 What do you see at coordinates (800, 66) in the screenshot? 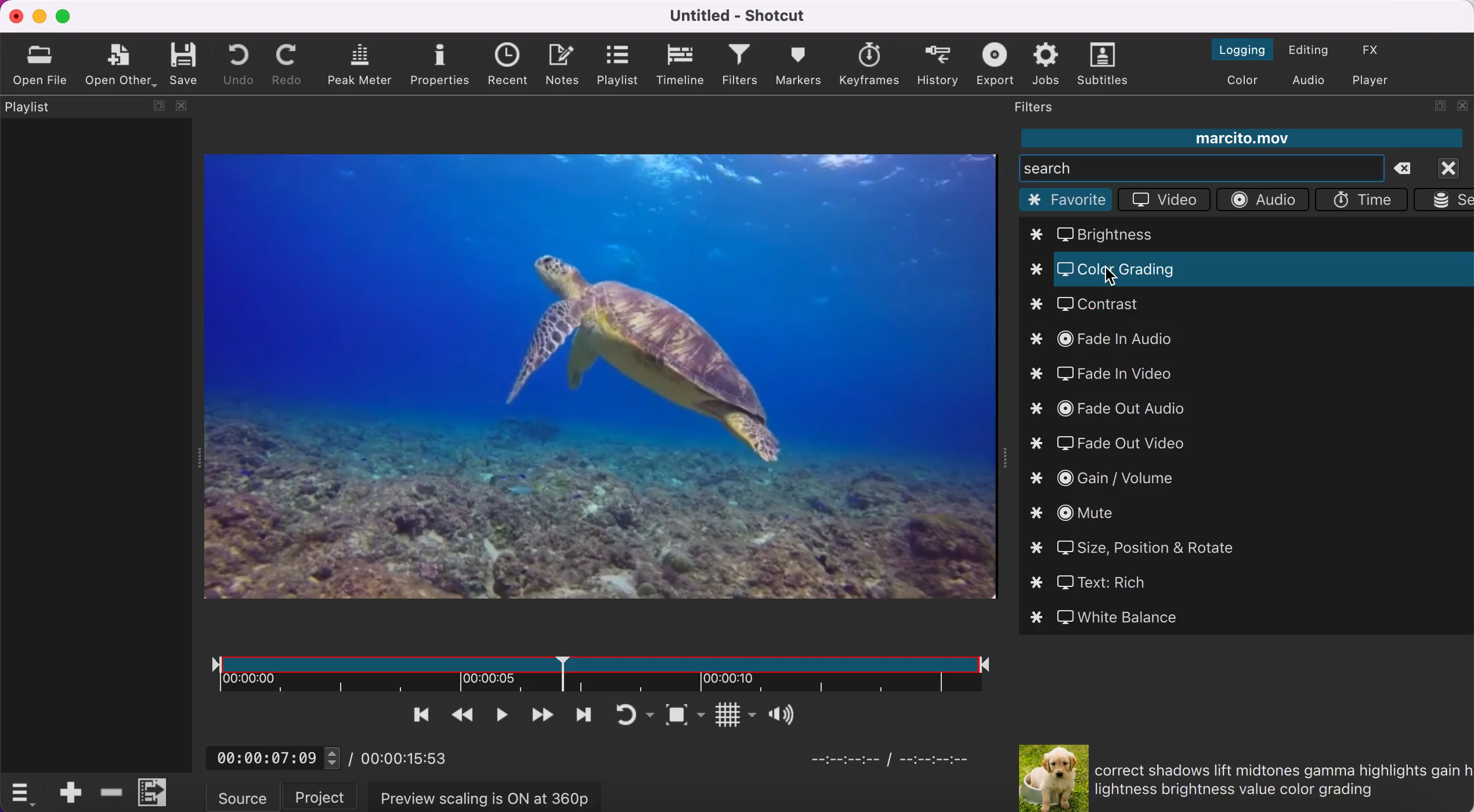
I see `markers` at bounding box center [800, 66].